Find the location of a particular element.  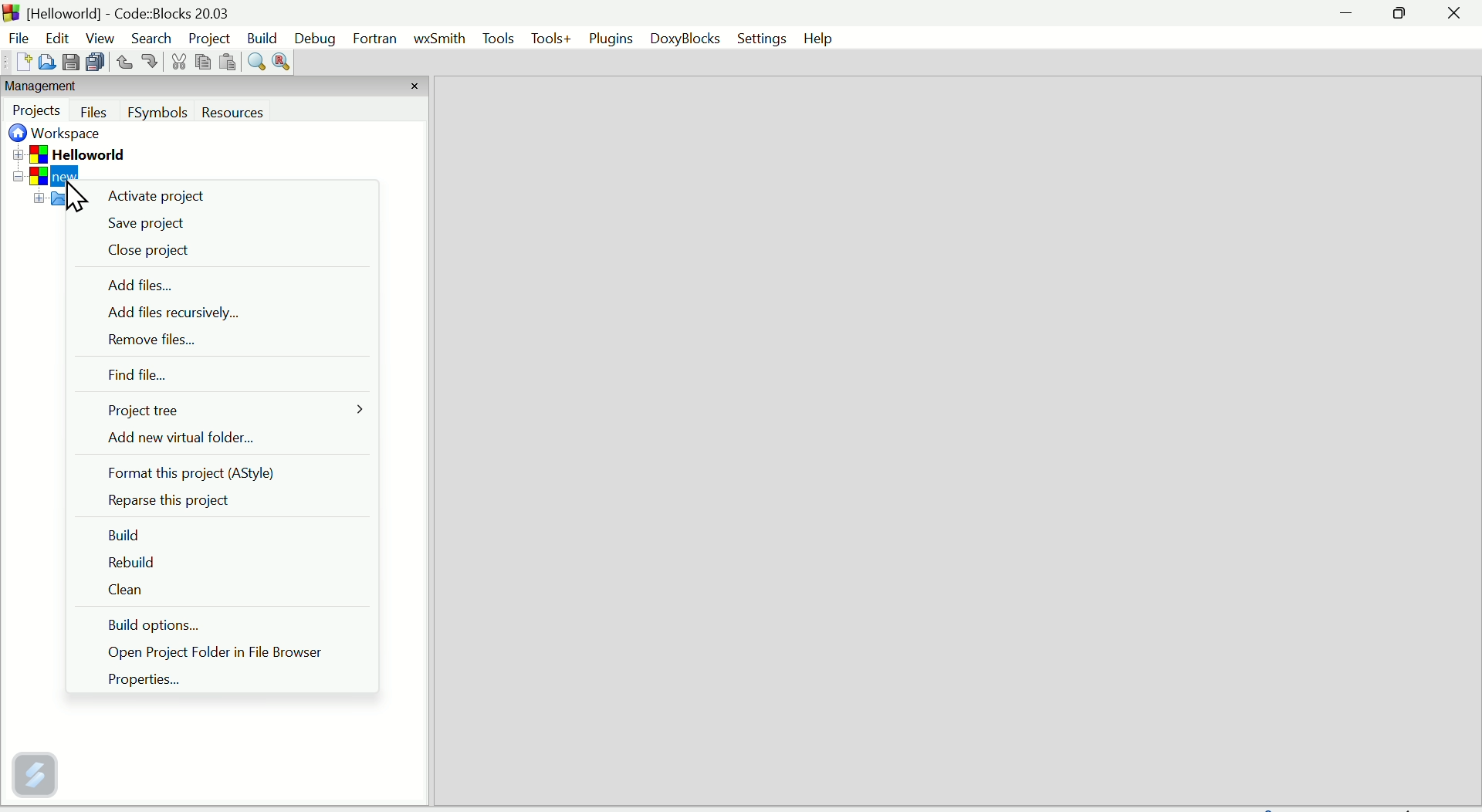

File is located at coordinates (16, 36).